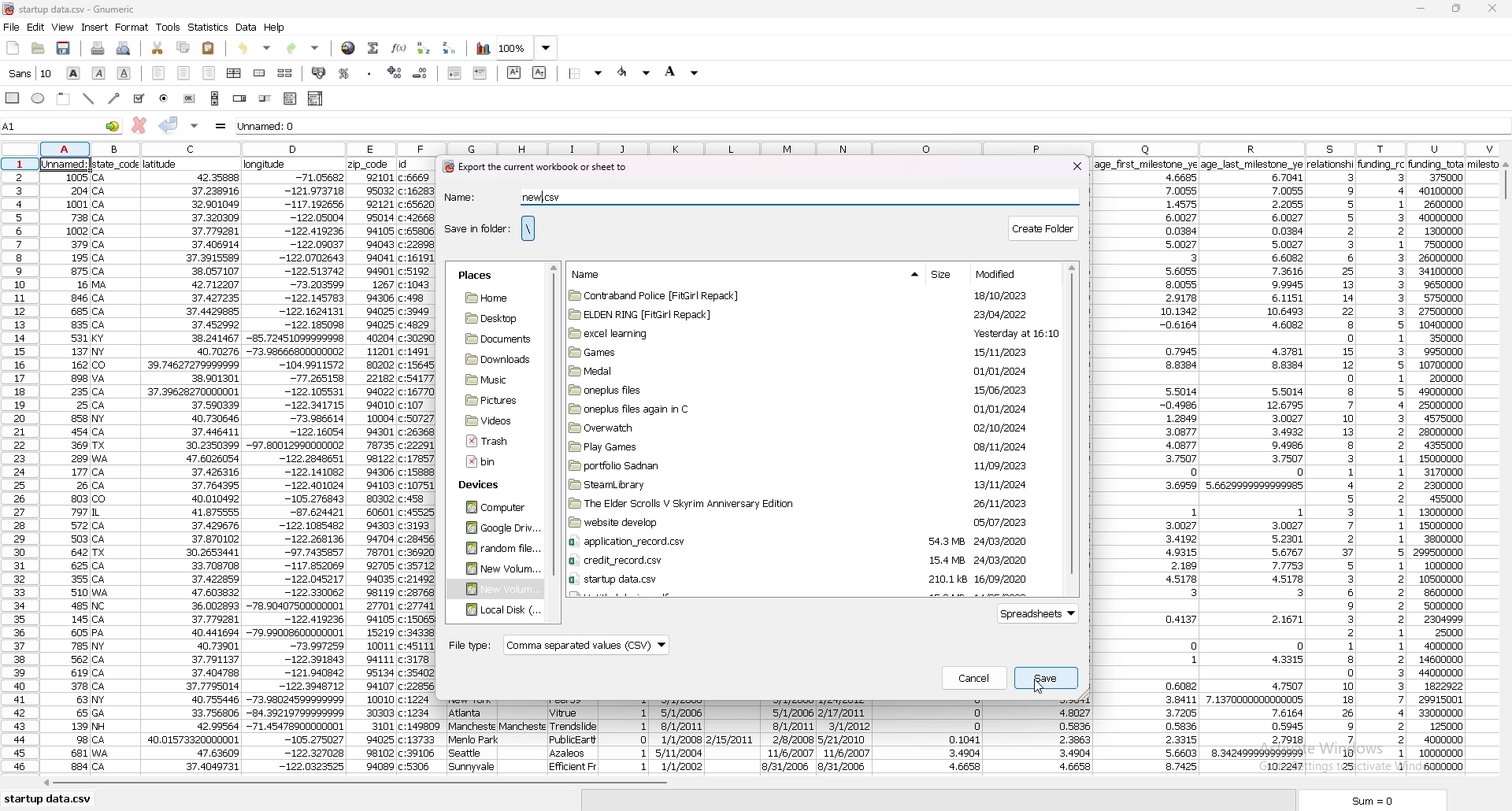 The height and width of the screenshot is (811, 1512). I want to click on scroll bar, so click(215, 98).